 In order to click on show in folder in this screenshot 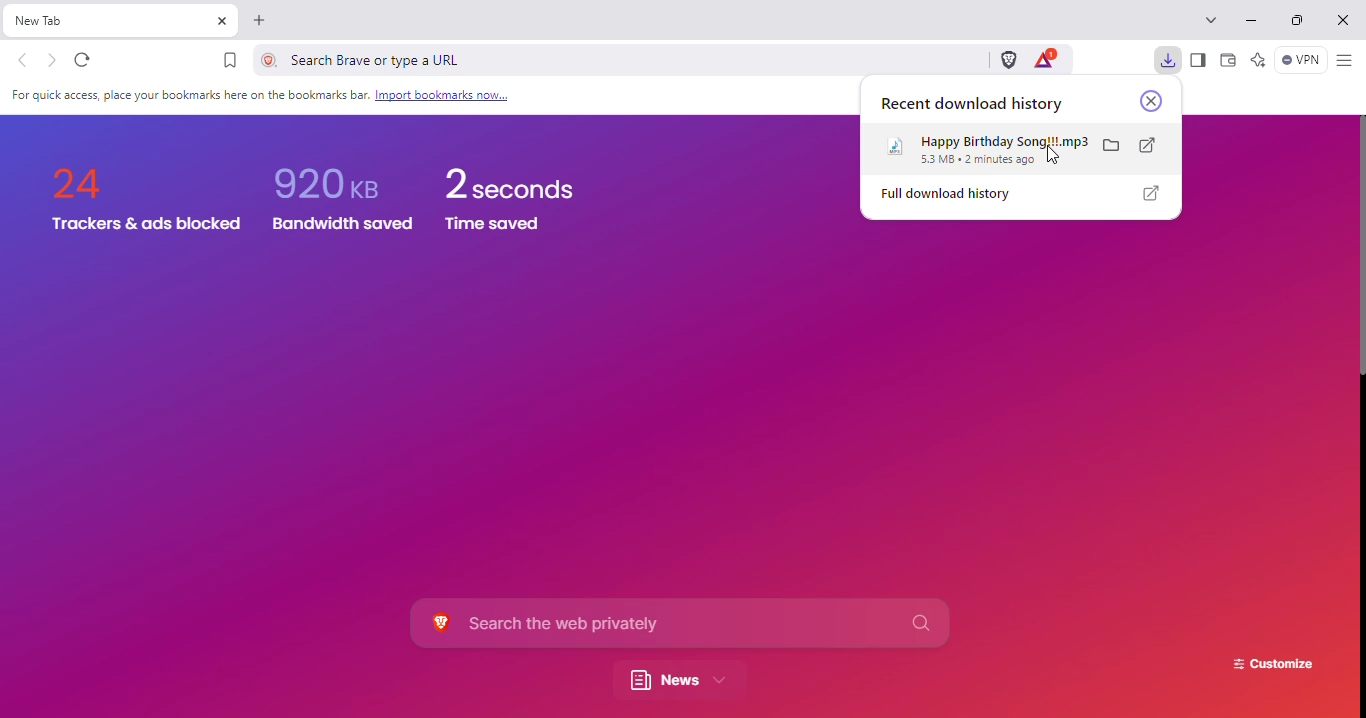, I will do `click(1112, 145)`.